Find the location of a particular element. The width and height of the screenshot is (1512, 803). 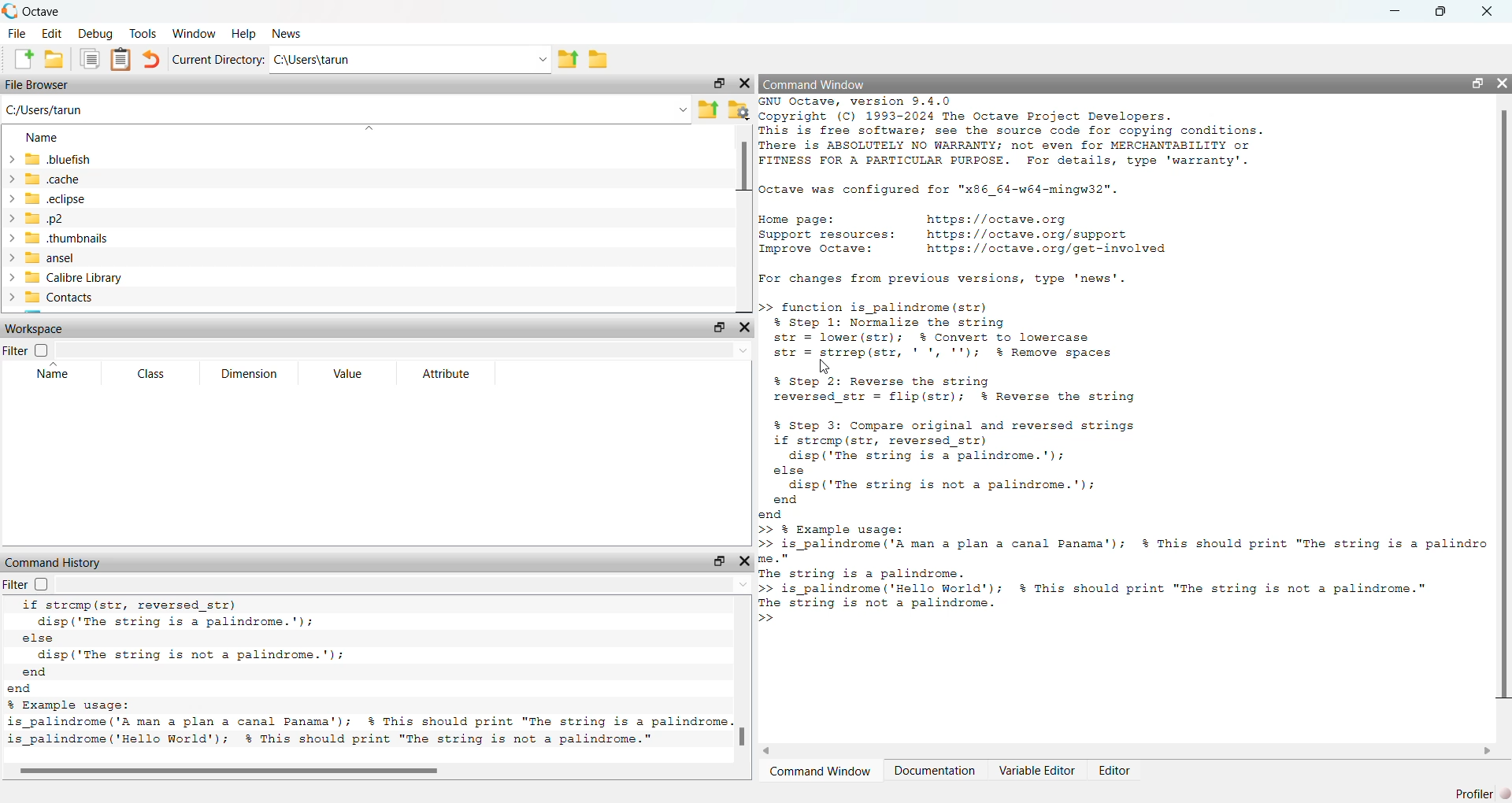

hide widget is located at coordinates (746, 561).